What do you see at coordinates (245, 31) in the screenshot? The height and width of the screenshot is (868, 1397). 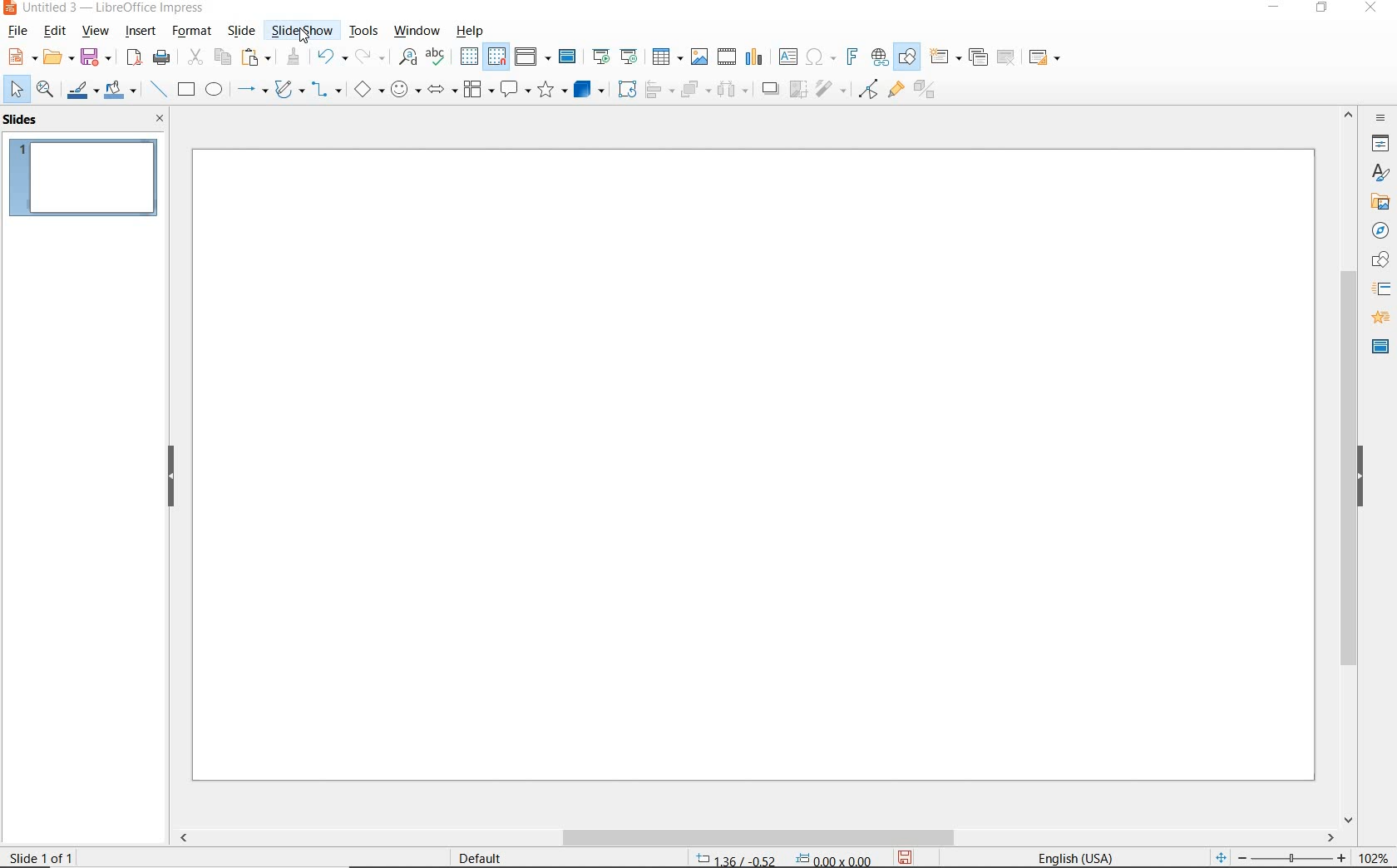 I see `SLIDE` at bounding box center [245, 31].